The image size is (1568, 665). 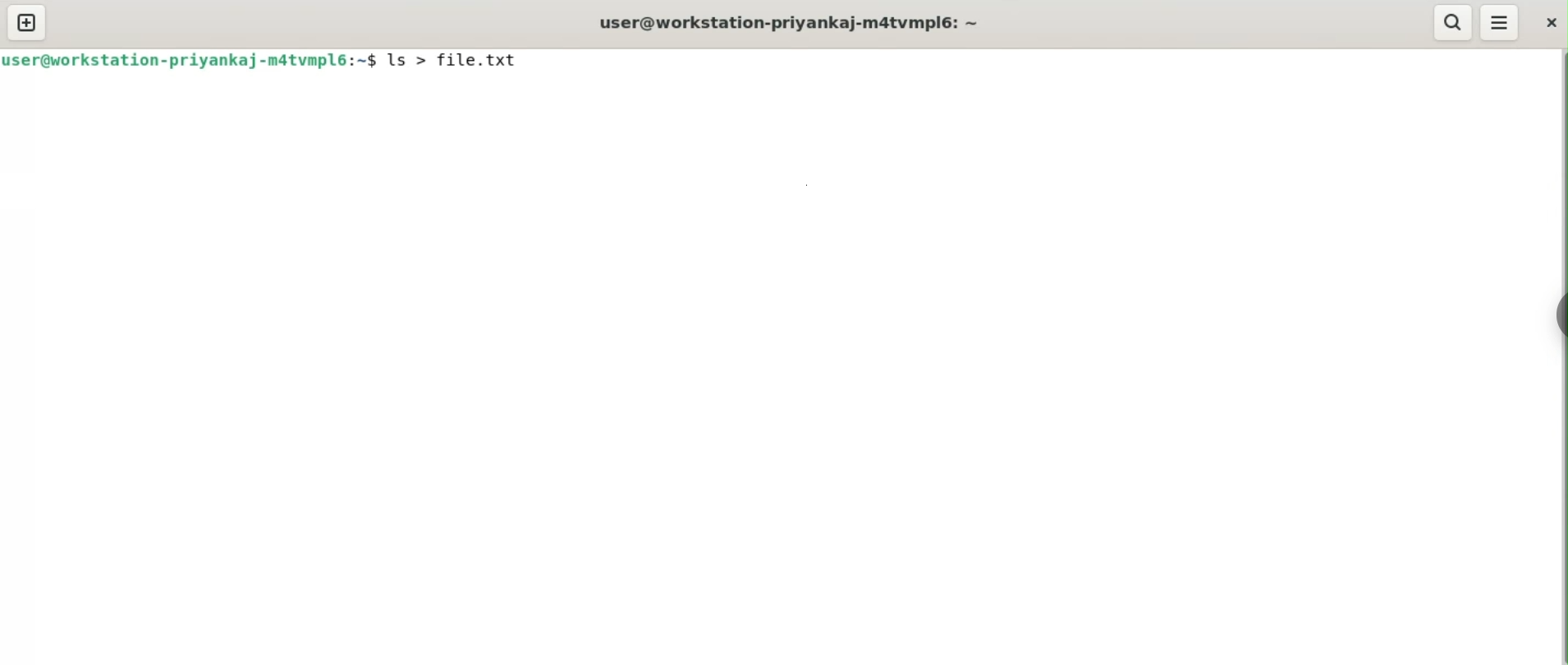 I want to click on ls > file.txt, so click(x=465, y=62).